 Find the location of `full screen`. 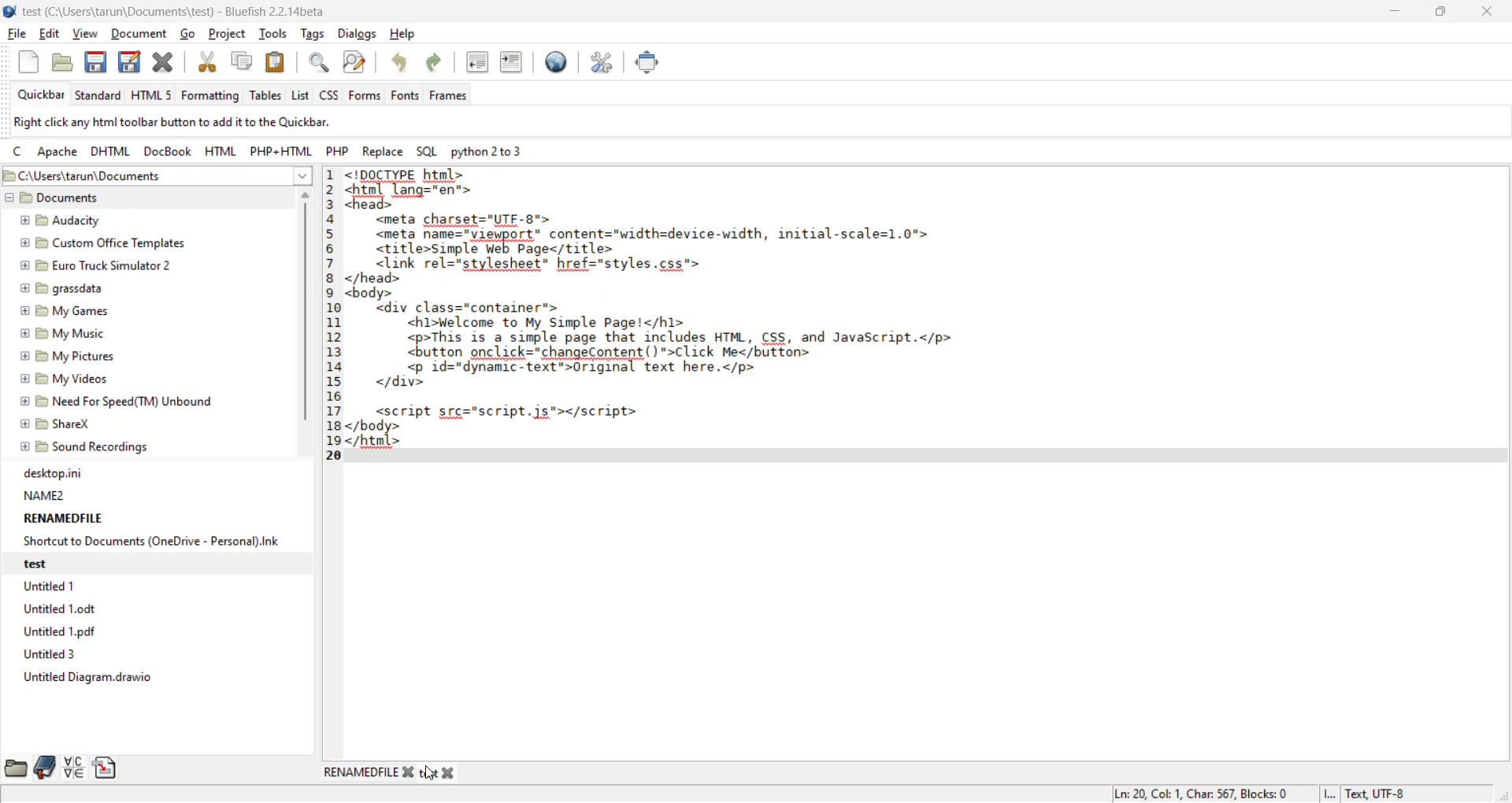

full screen is located at coordinates (653, 66).